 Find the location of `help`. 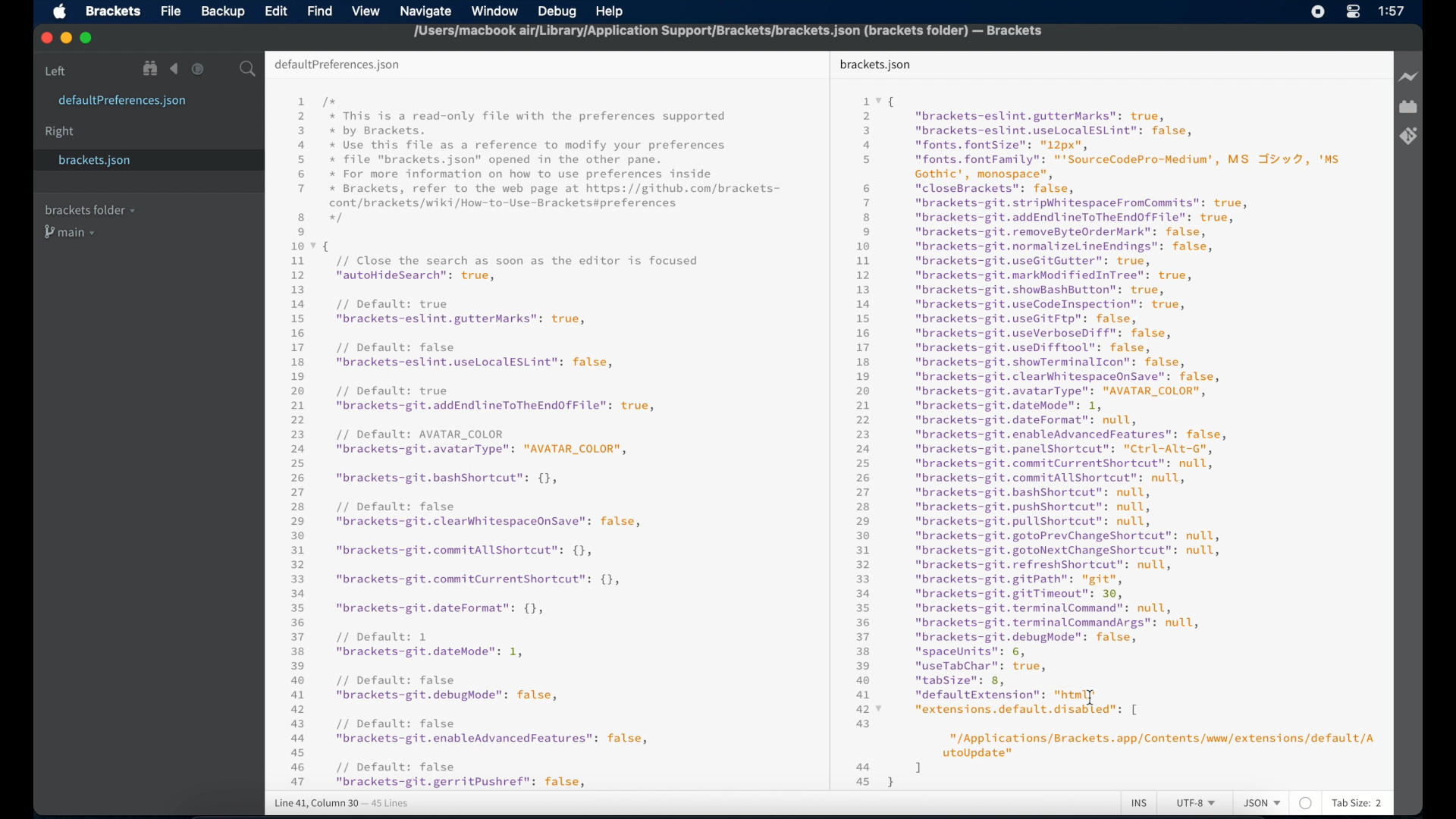

help is located at coordinates (608, 13).